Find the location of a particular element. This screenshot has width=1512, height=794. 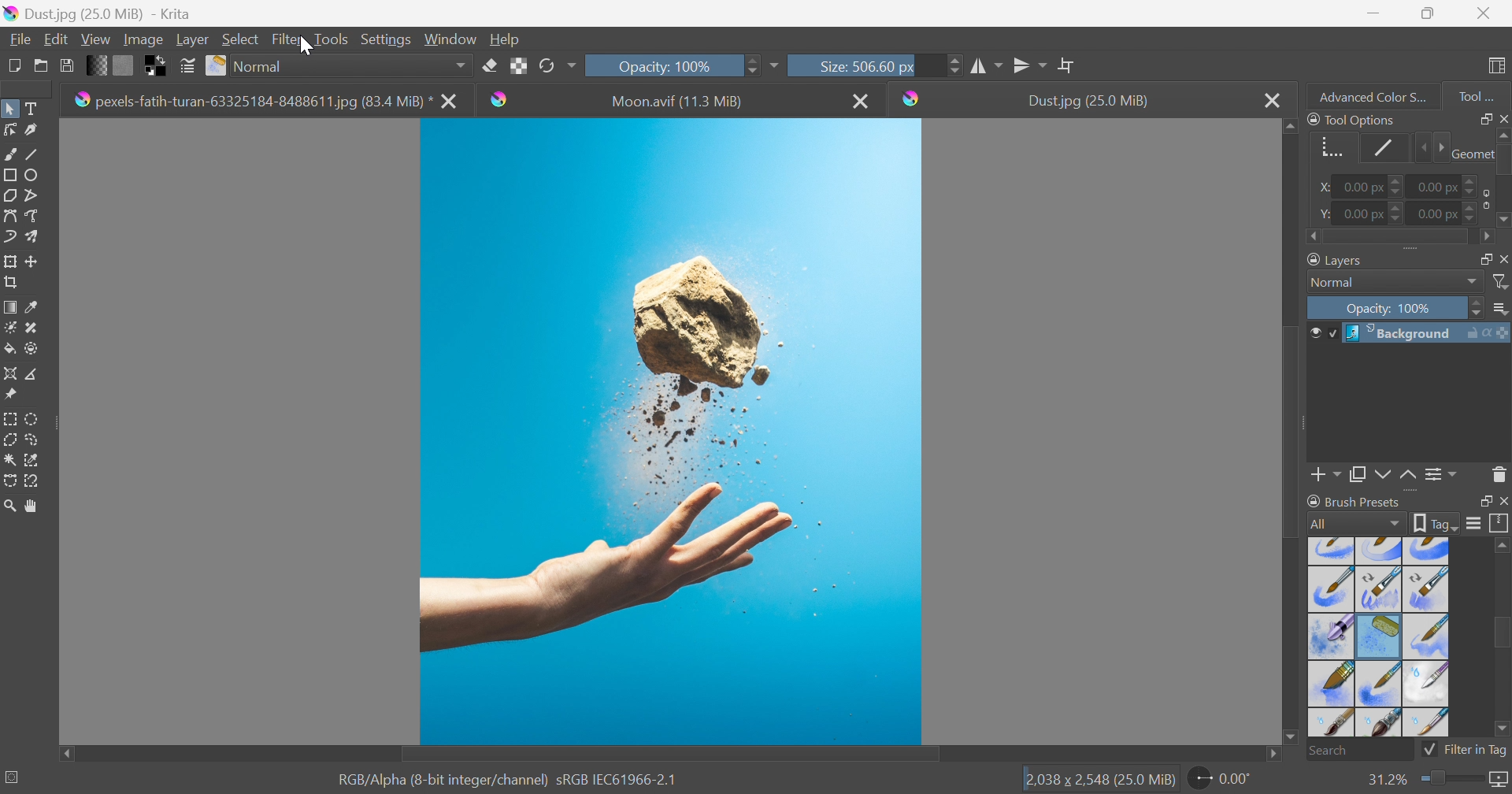

Fill gradients is located at coordinates (98, 64).